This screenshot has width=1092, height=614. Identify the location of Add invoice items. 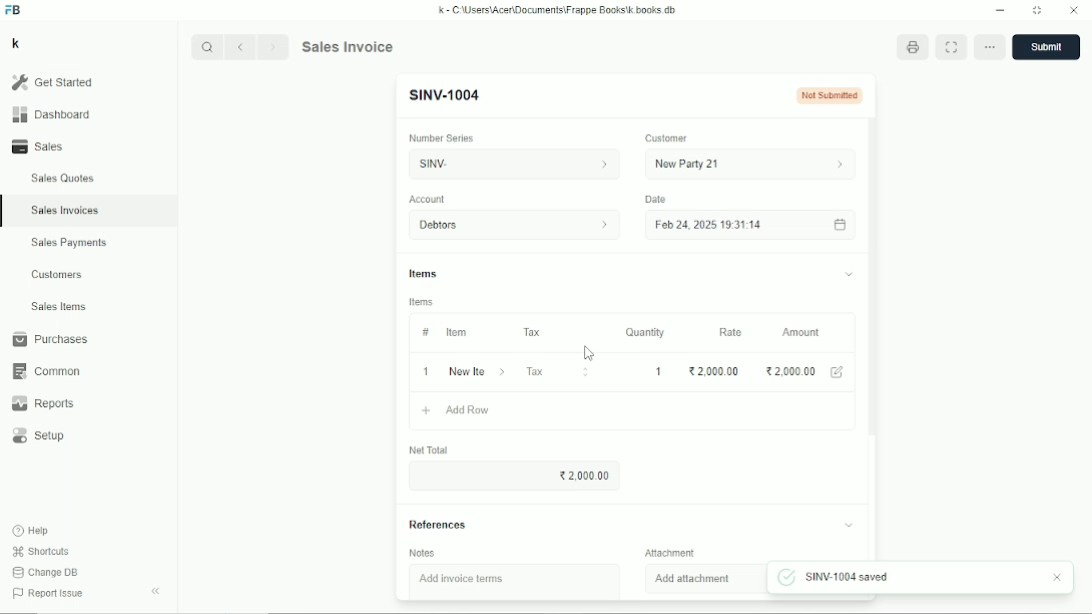
(459, 578).